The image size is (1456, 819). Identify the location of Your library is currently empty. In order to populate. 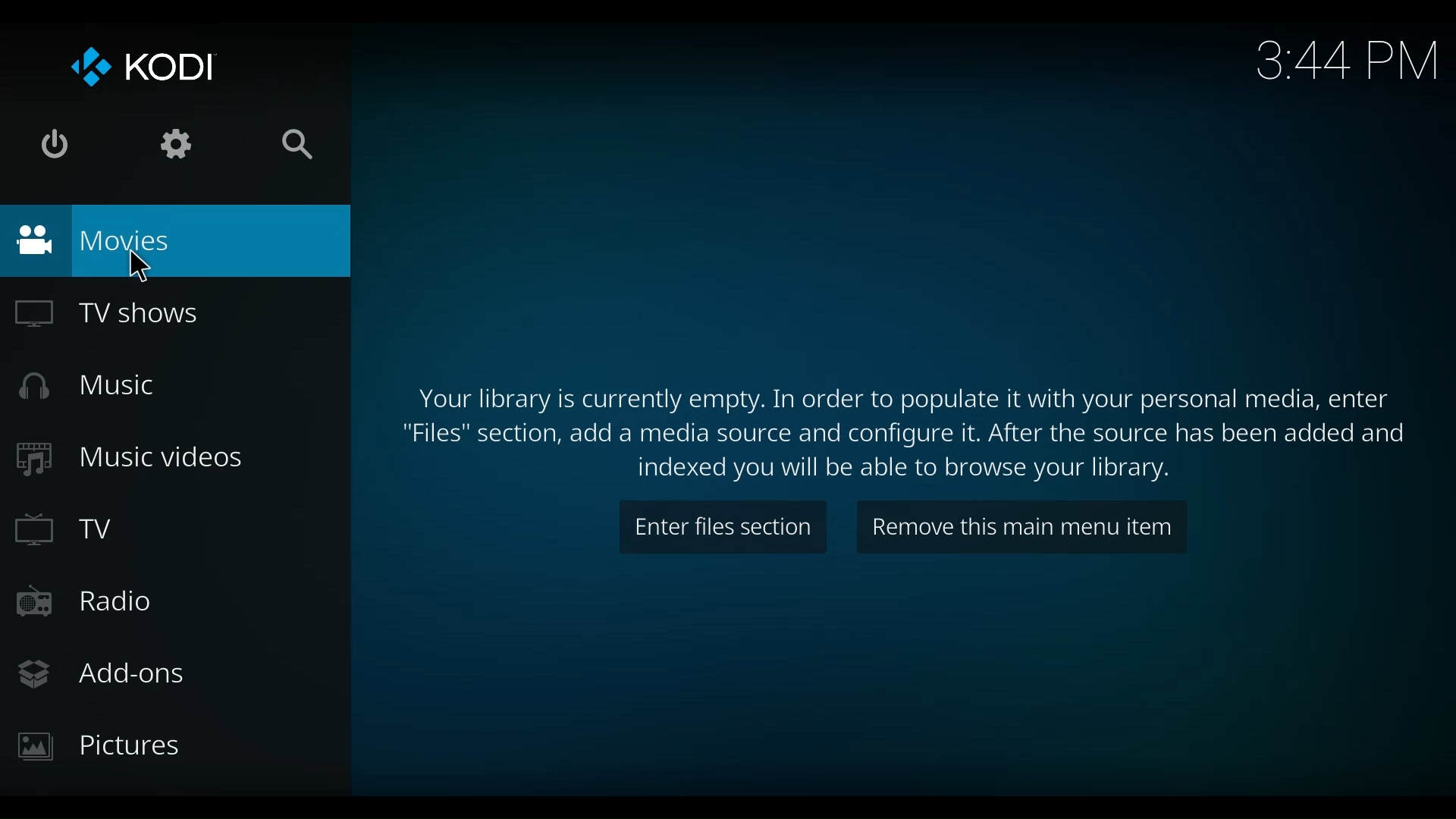
(899, 399).